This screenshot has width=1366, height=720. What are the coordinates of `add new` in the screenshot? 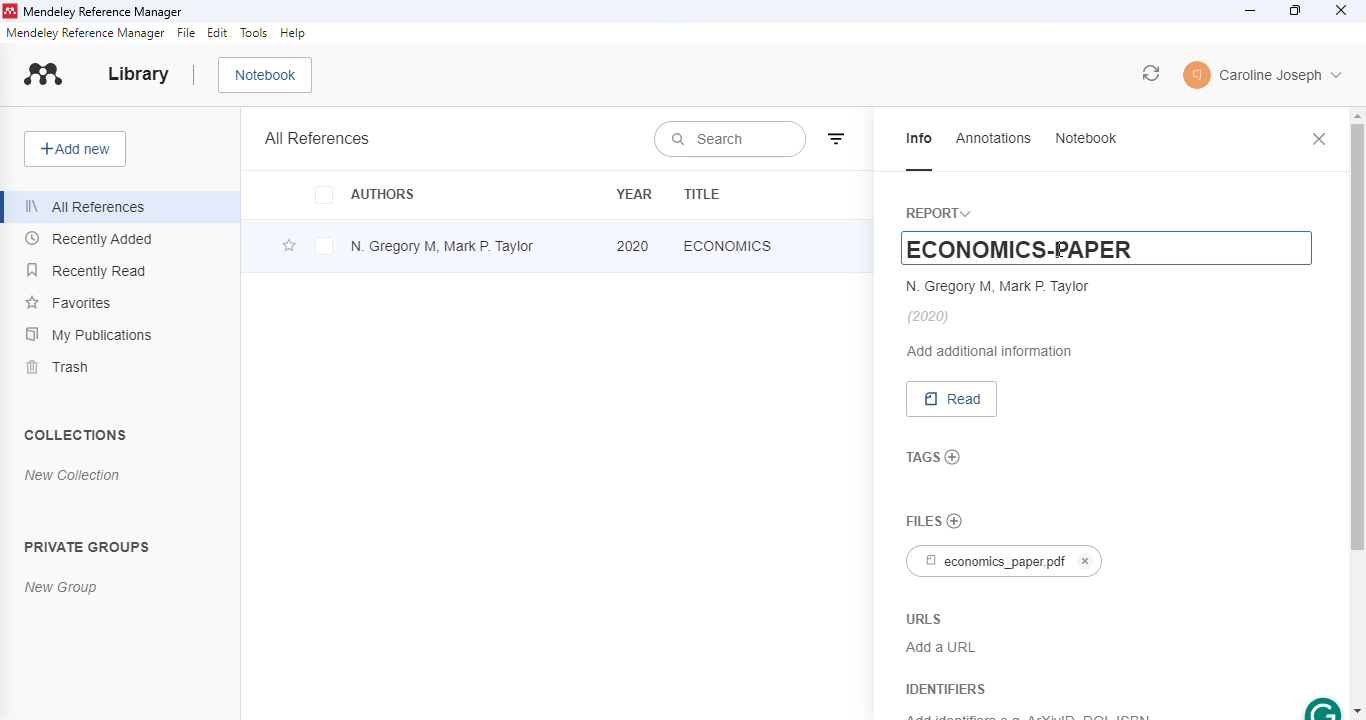 It's located at (74, 148).